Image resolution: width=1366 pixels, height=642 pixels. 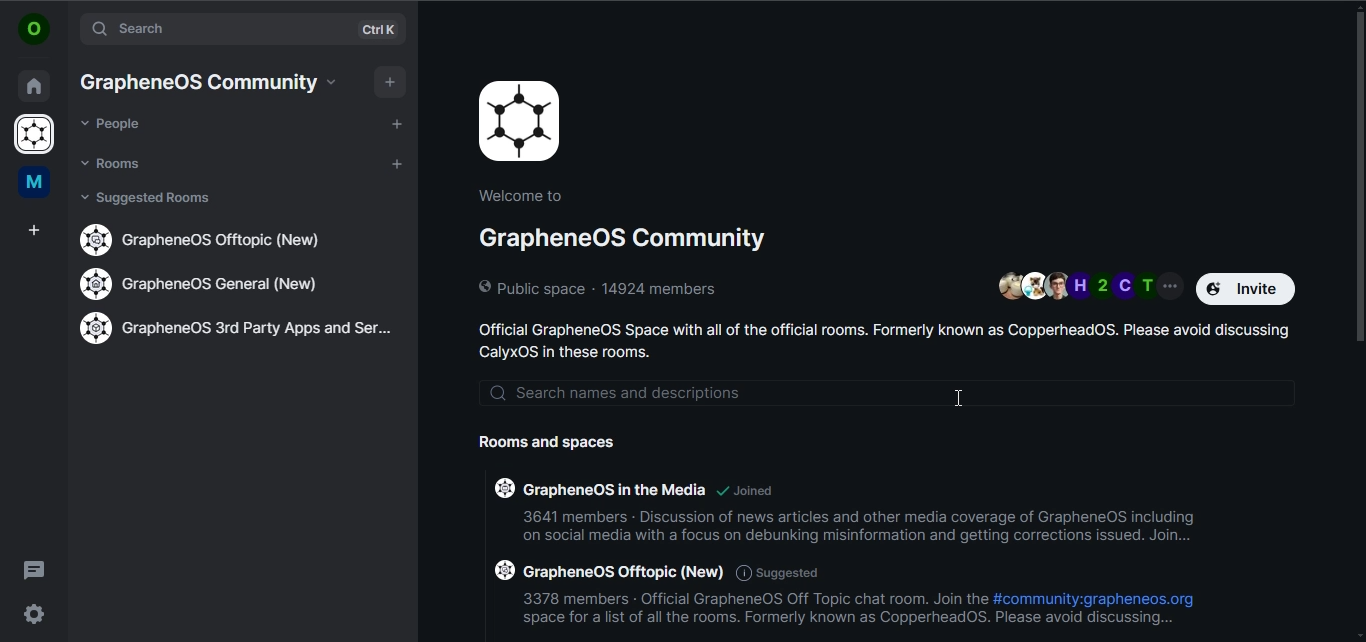 What do you see at coordinates (32, 29) in the screenshot?
I see `view profile` at bounding box center [32, 29].